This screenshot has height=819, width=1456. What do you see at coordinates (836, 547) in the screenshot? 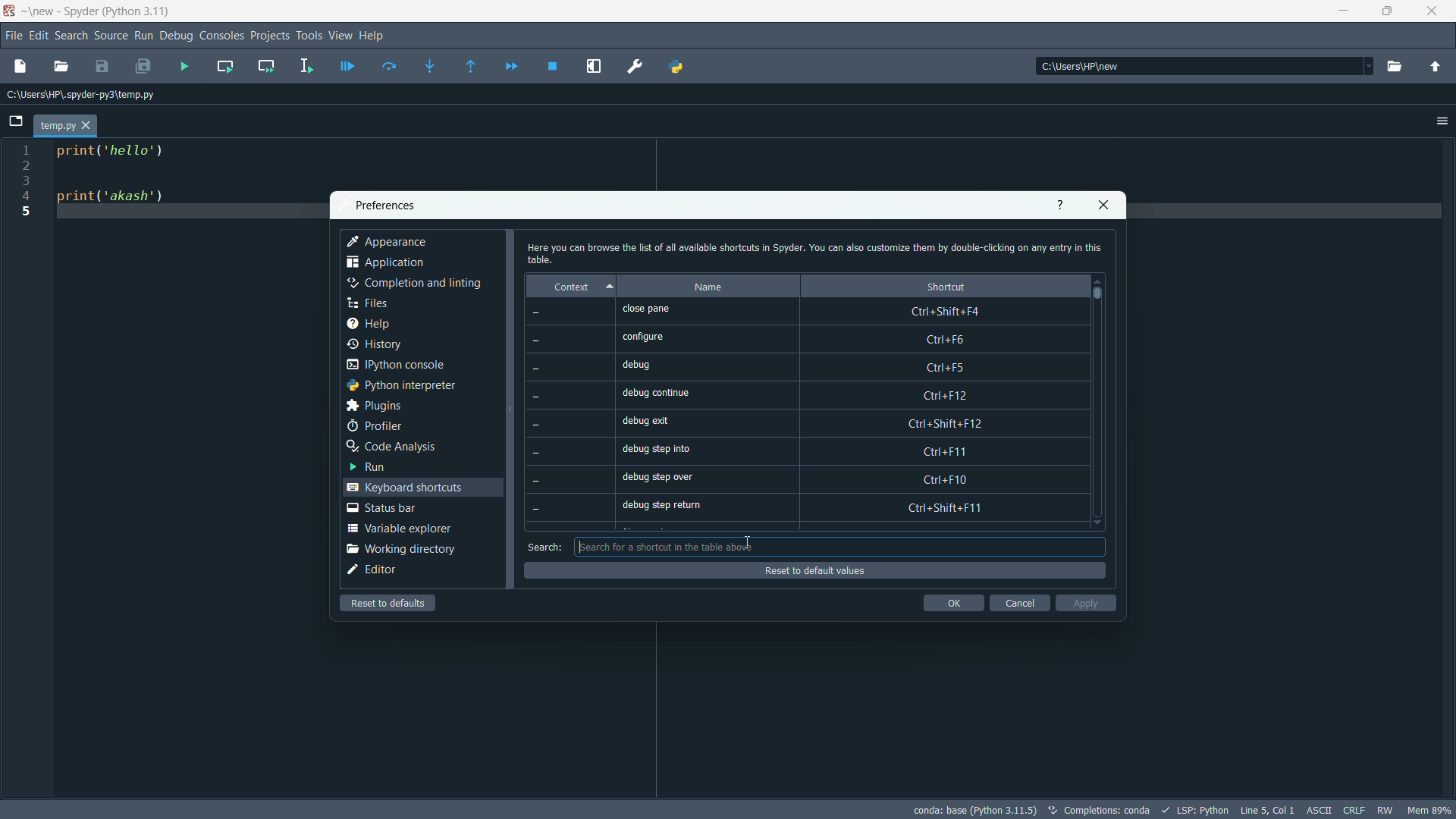
I see `search bar` at bounding box center [836, 547].